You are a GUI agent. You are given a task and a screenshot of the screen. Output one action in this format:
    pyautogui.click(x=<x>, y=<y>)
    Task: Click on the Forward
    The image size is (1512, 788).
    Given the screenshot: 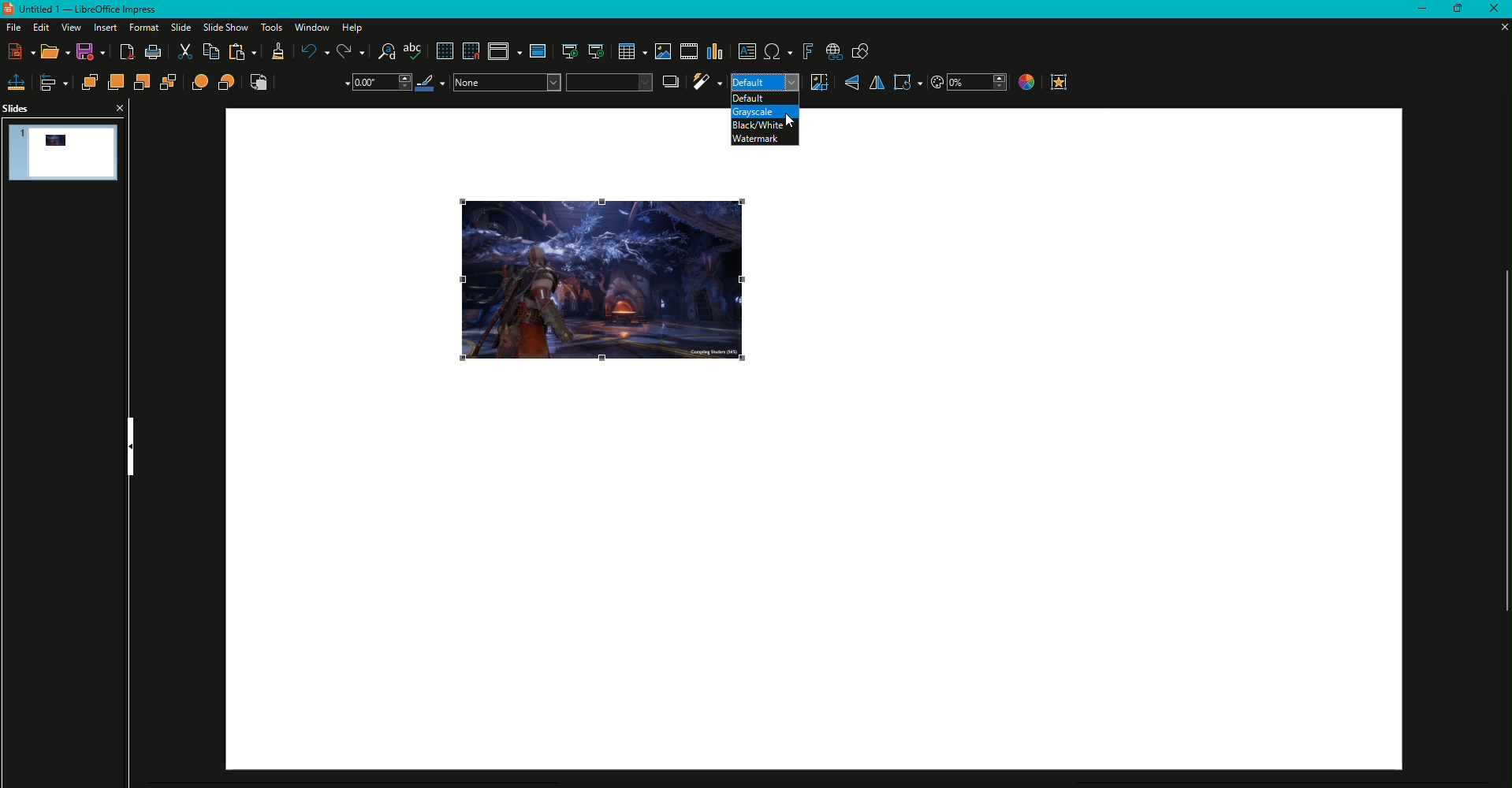 What is the action you would take?
    pyautogui.click(x=115, y=82)
    